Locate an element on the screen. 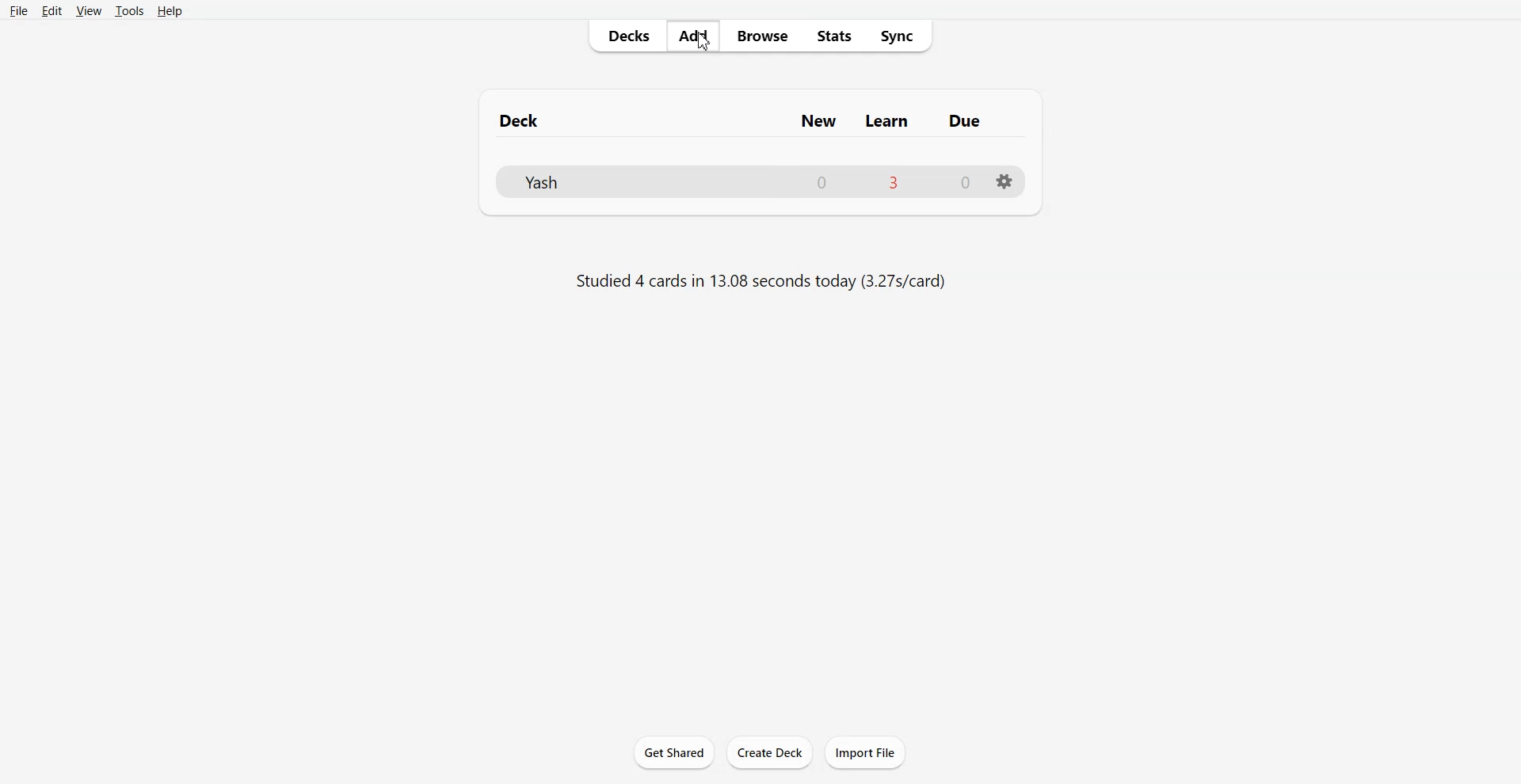 The height and width of the screenshot is (784, 1521). 3 is located at coordinates (894, 184).